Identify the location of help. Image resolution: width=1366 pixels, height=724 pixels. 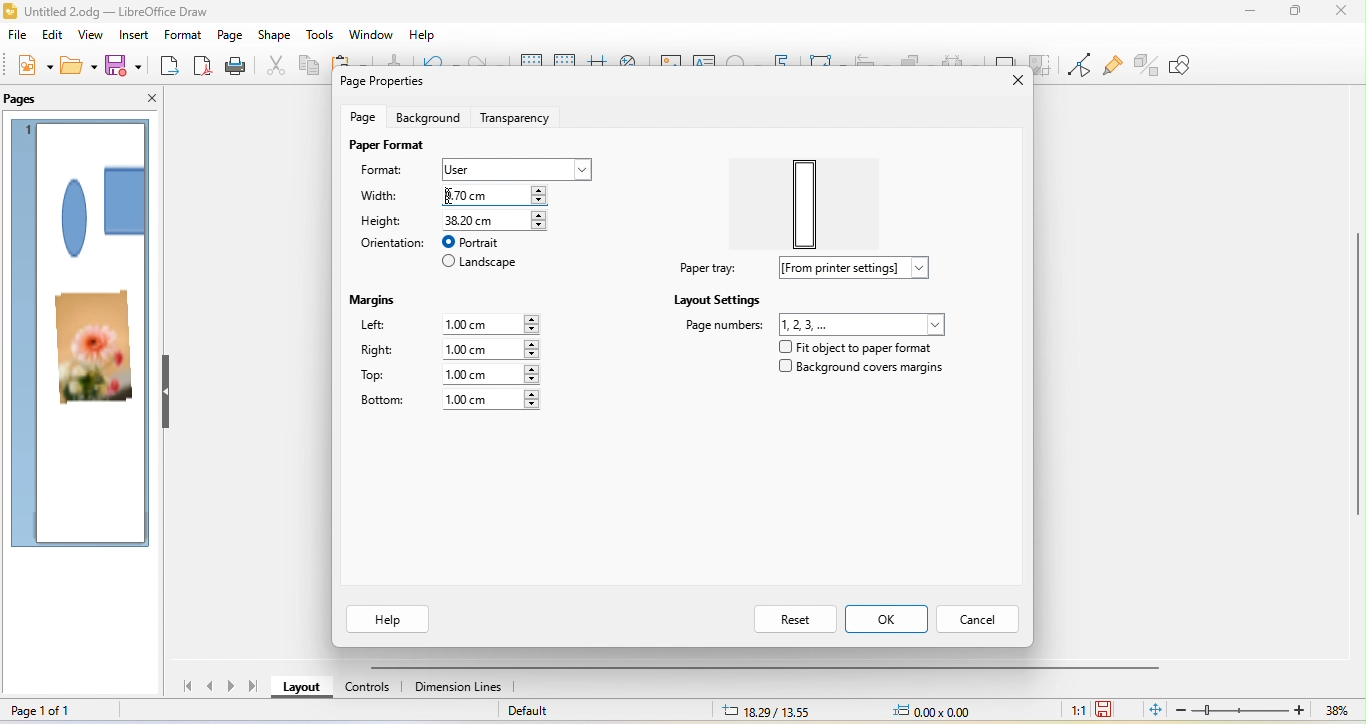
(390, 618).